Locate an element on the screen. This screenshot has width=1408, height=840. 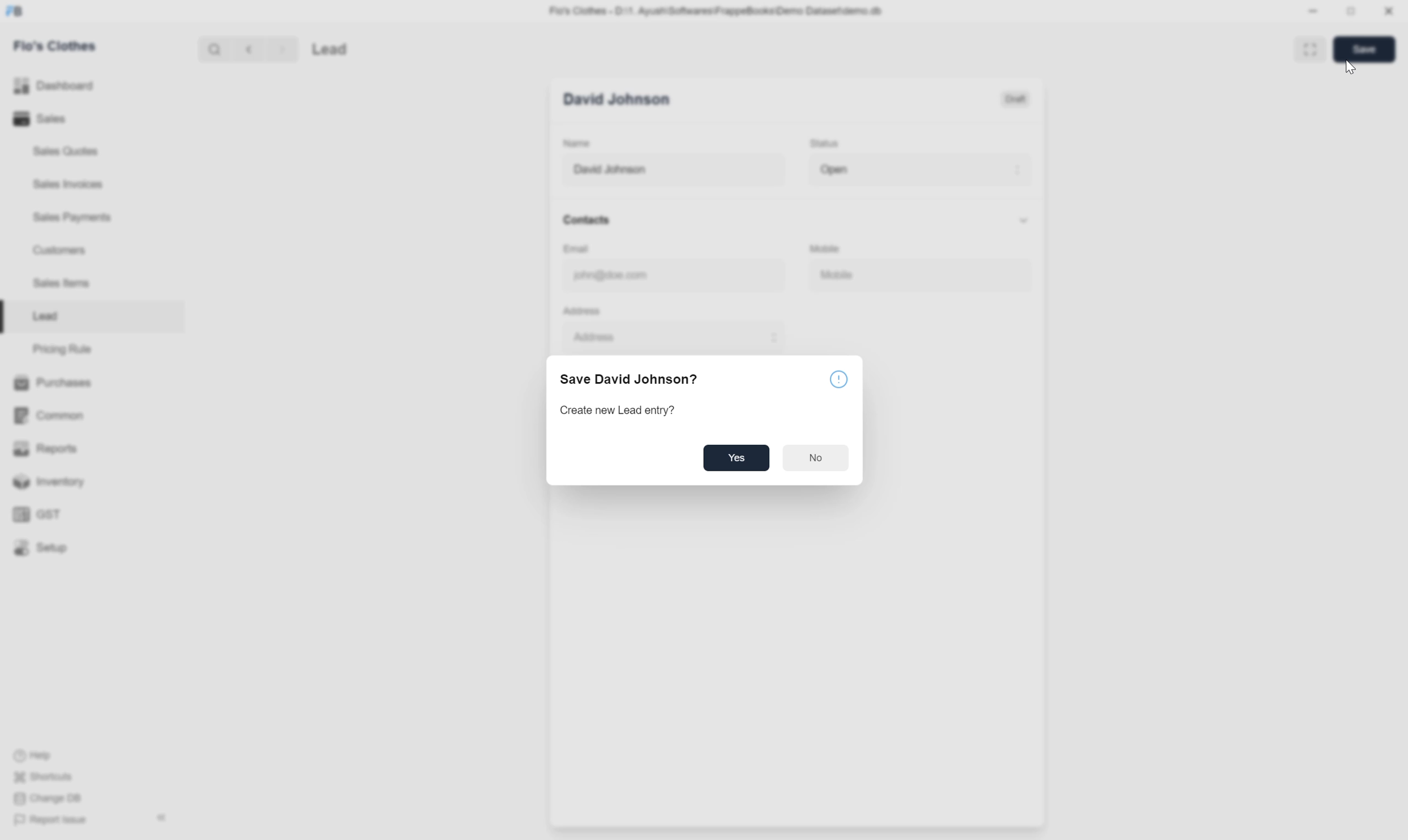
cursor is located at coordinates (1351, 70).